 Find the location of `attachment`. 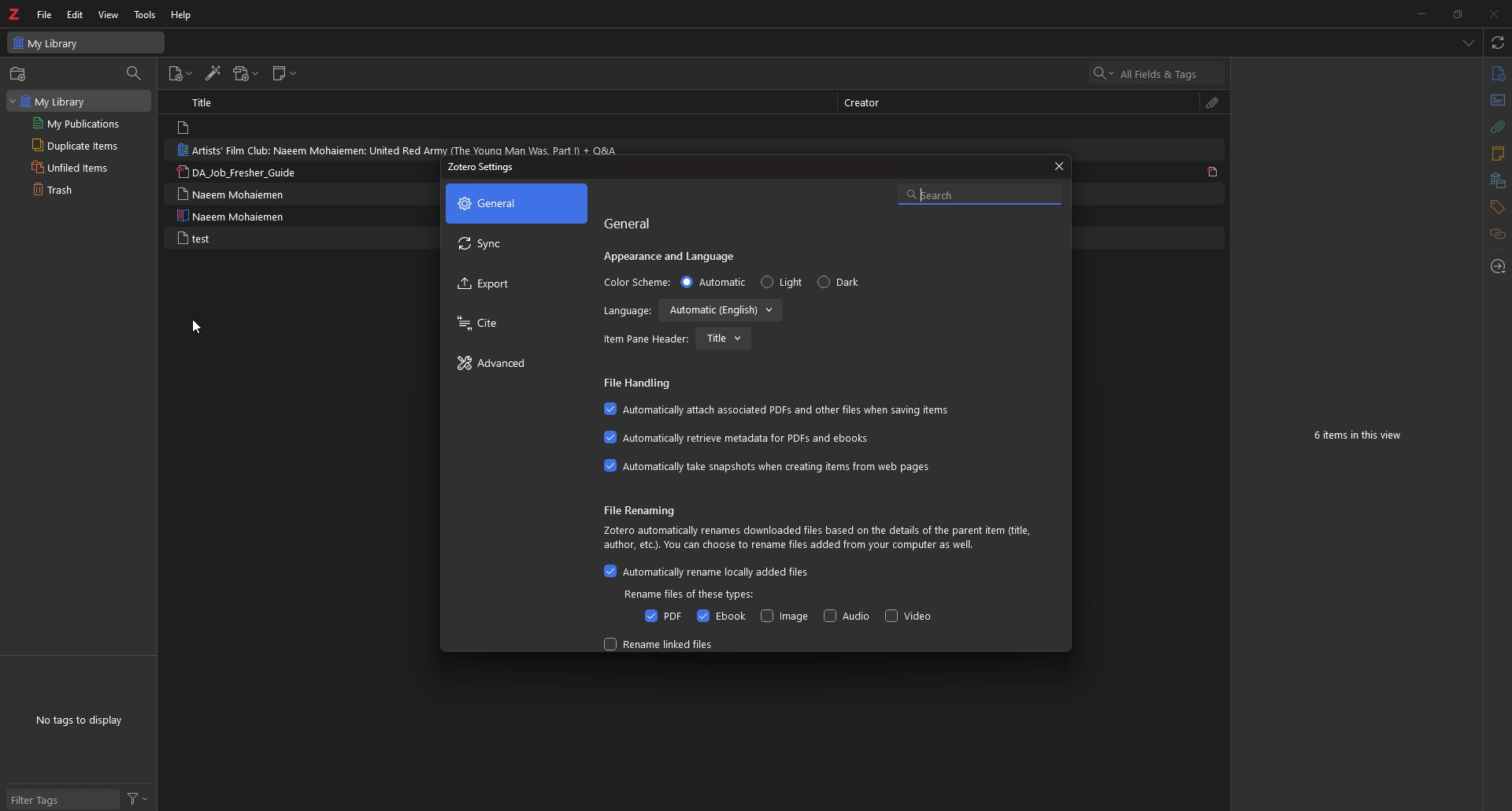

attachment is located at coordinates (1496, 128).